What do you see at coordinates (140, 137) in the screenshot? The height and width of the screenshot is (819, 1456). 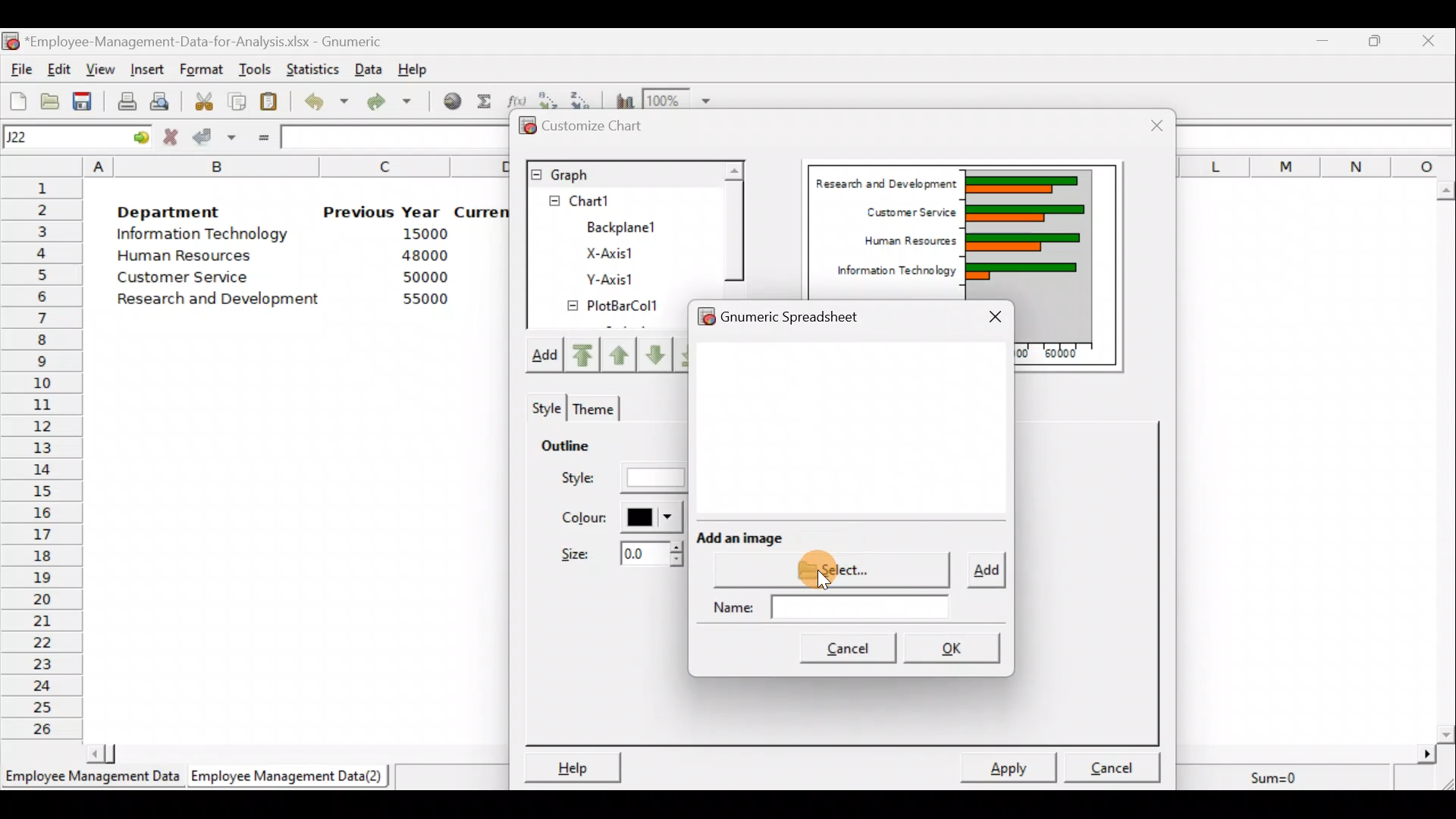 I see `go to` at bounding box center [140, 137].